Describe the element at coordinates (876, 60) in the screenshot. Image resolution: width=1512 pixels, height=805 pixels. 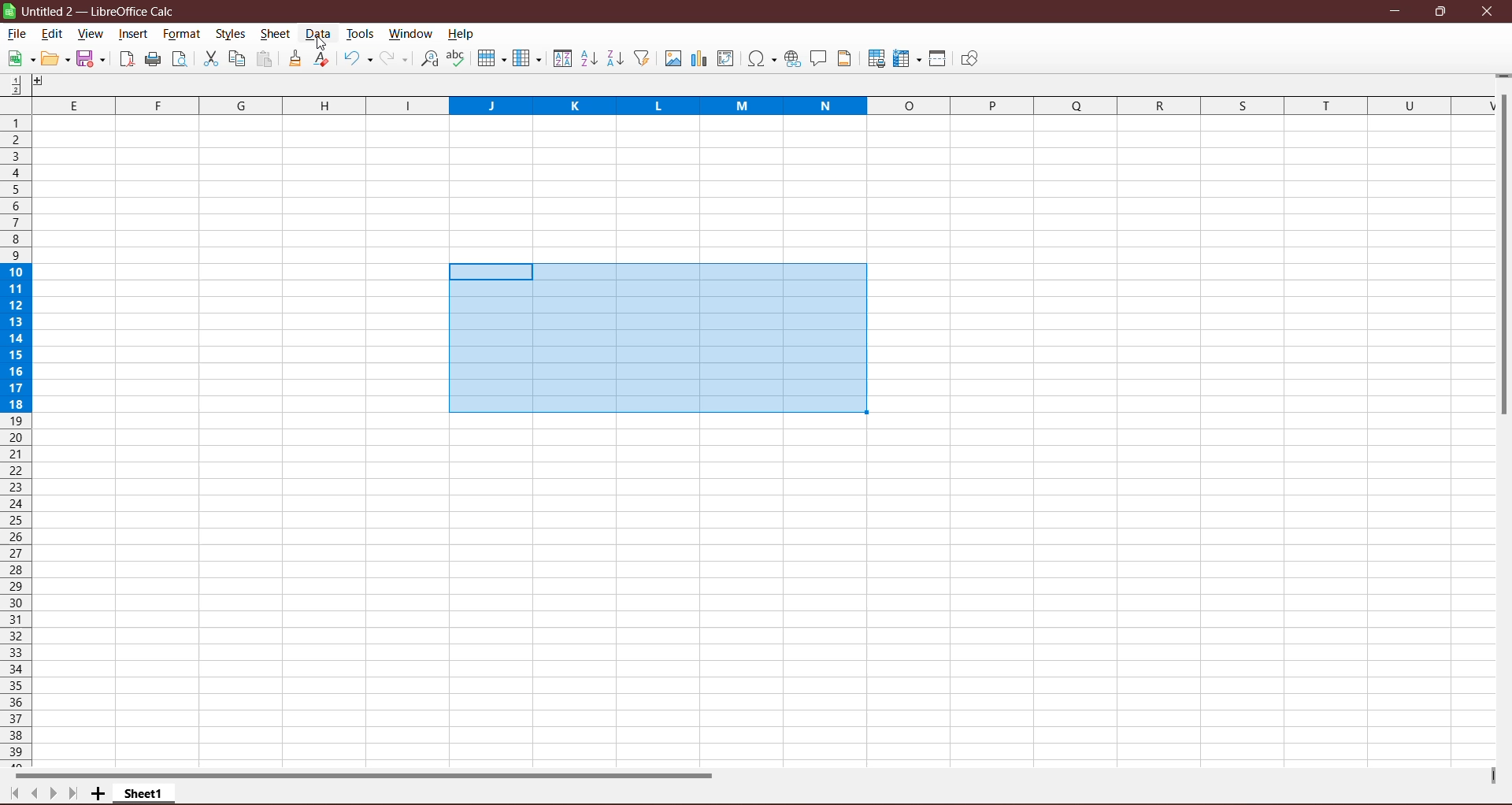
I see `Define Print Area` at that location.